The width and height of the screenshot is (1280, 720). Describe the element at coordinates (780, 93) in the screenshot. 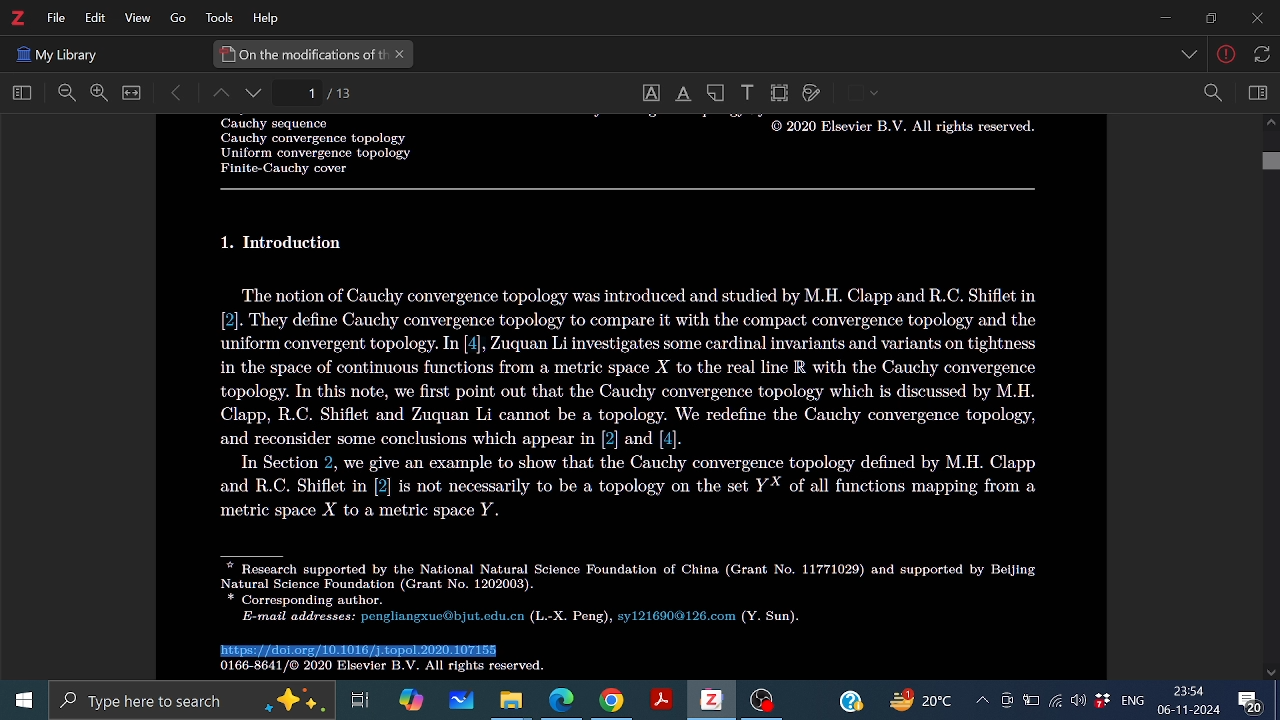

I see `Crop` at that location.